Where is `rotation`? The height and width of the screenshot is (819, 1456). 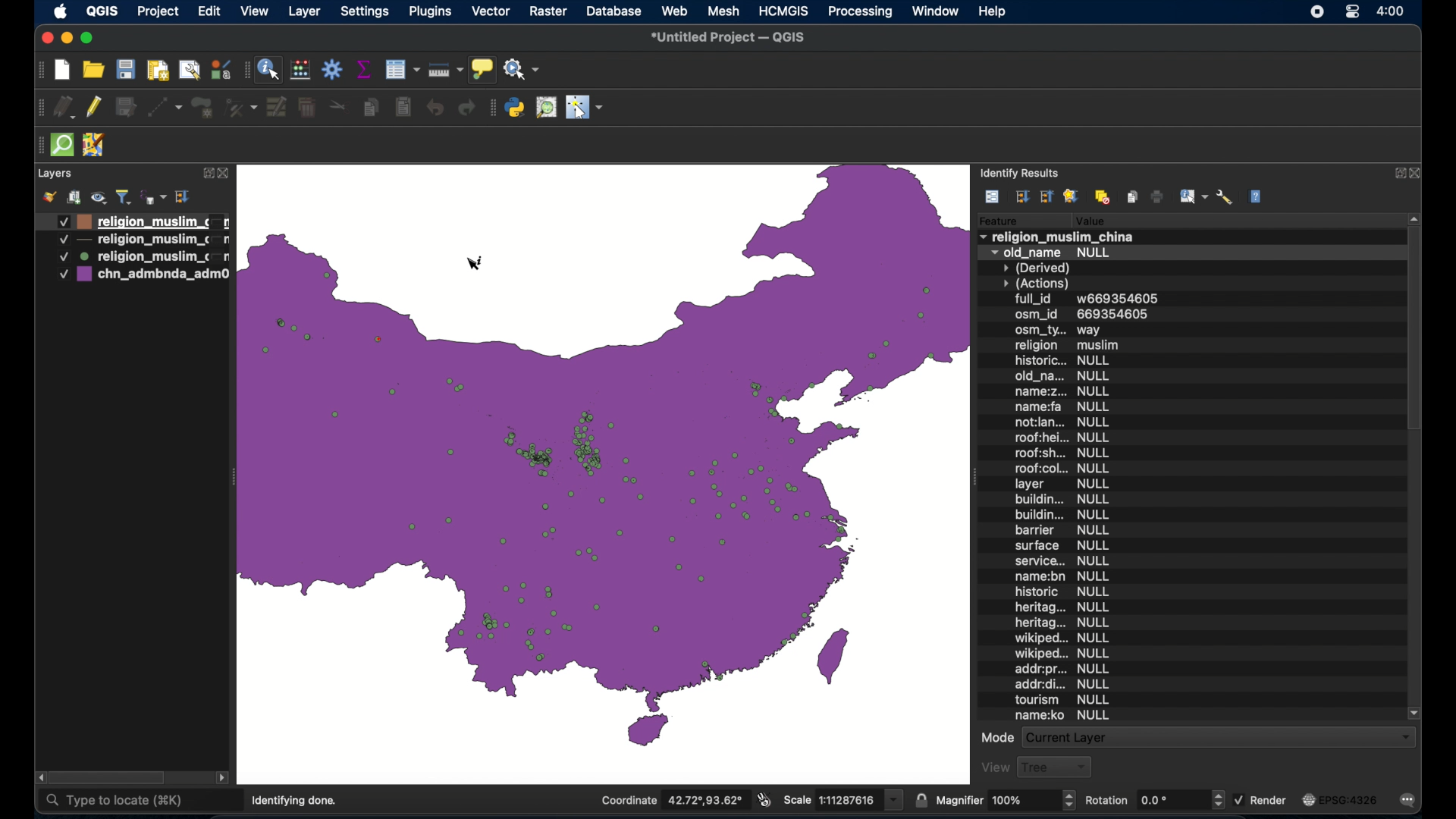
rotation is located at coordinates (1153, 799).